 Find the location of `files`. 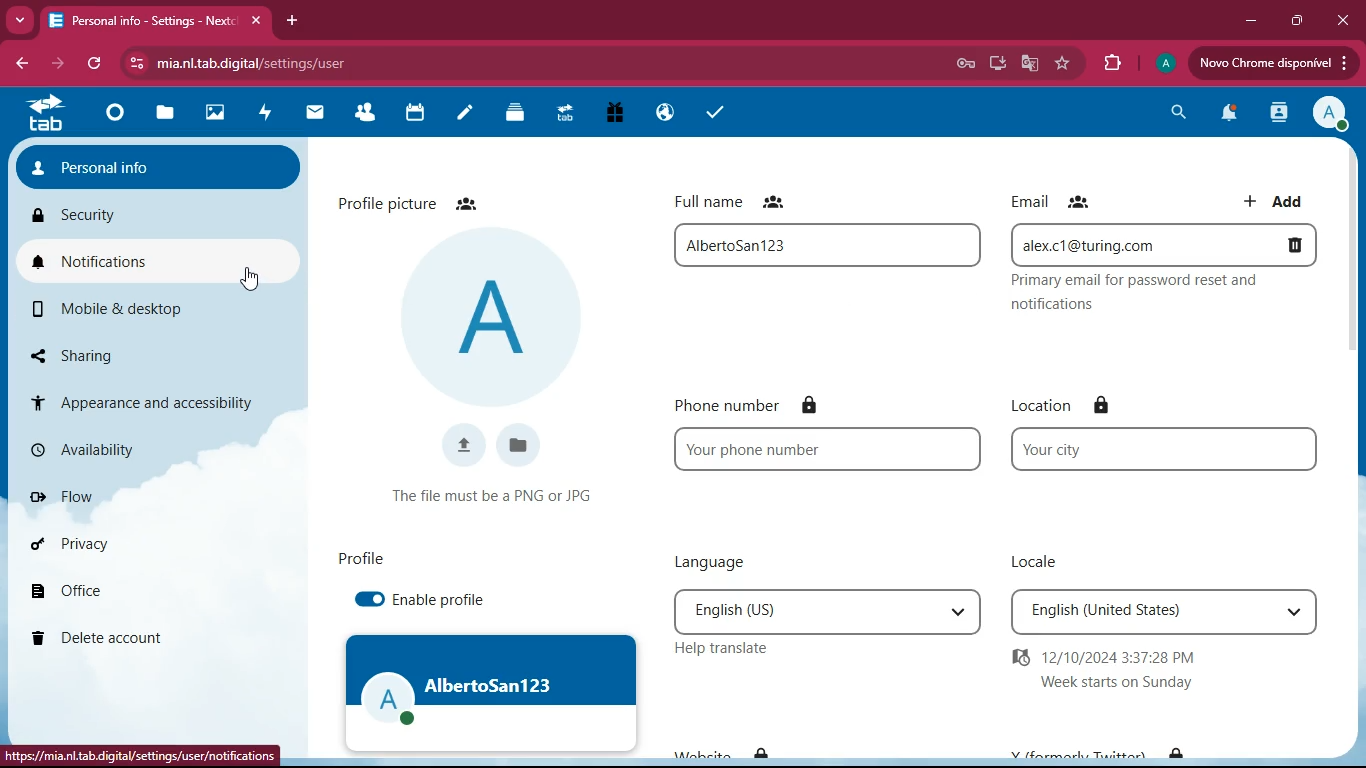

files is located at coordinates (522, 448).